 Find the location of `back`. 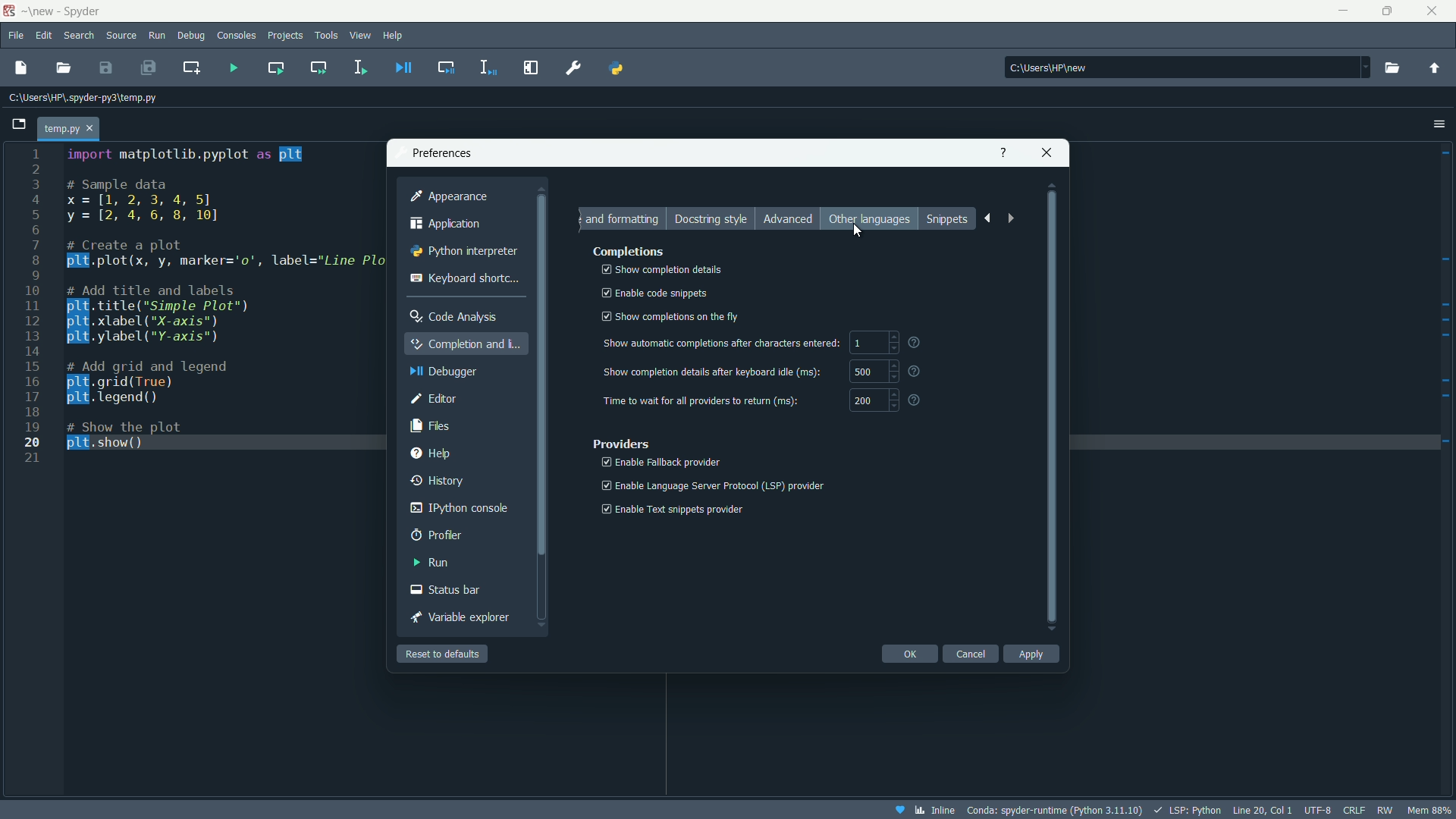

back is located at coordinates (987, 218).